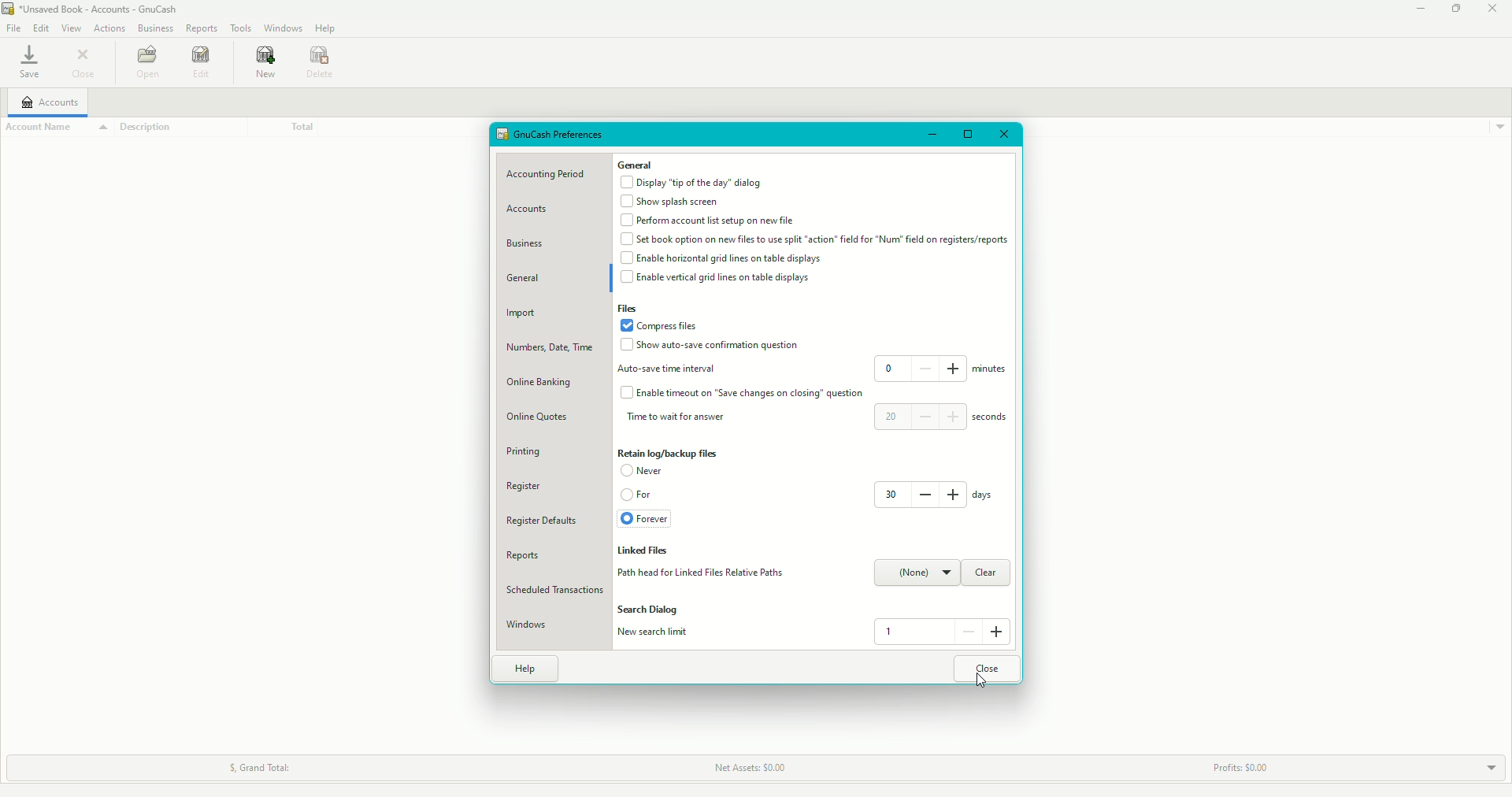 The width and height of the screenshot is (1512, 797). What do you see at coordinates (28, 62) in the screenshot?
I see `save` at bounding box center [28, 62].